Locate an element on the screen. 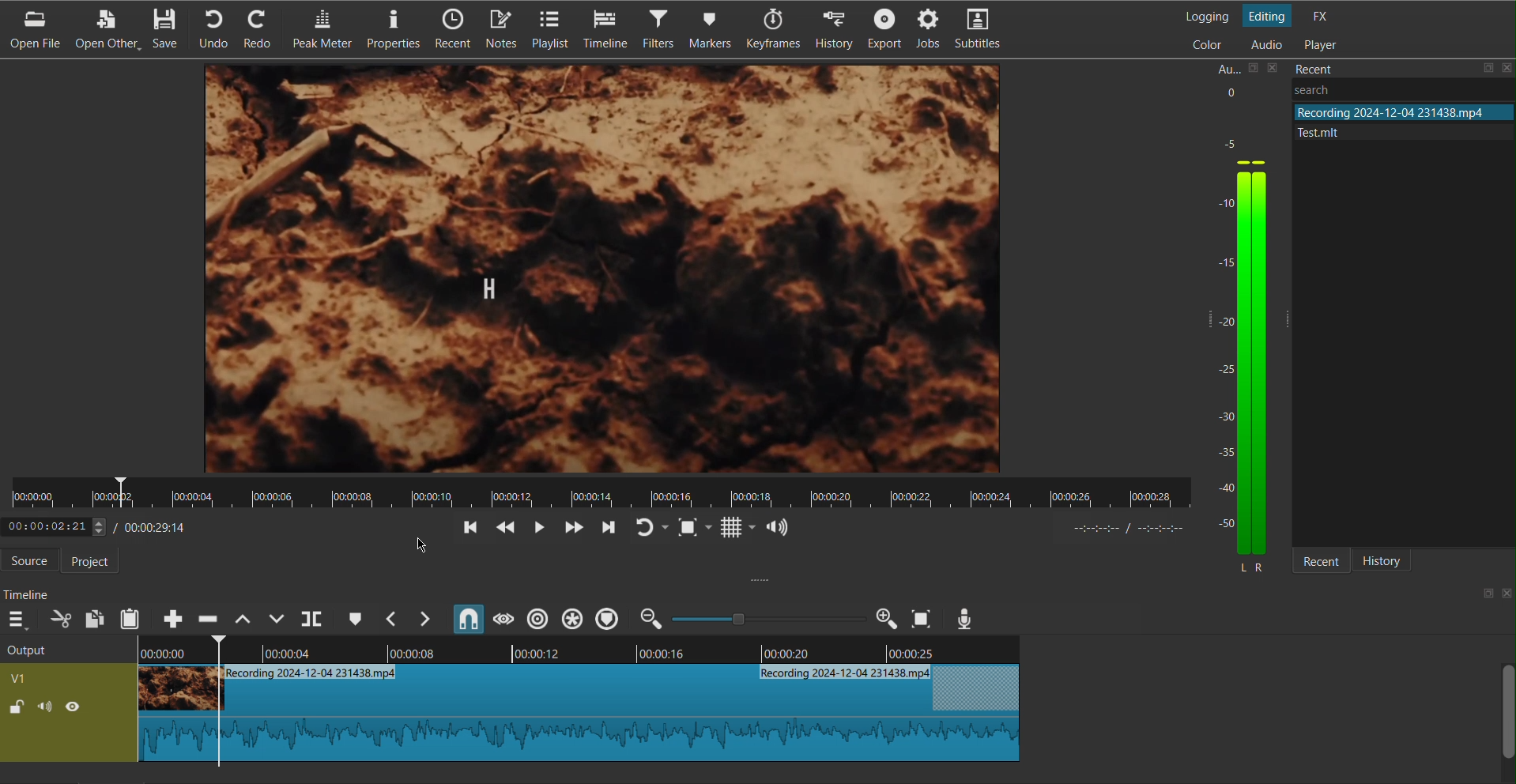 This screenshot has width=1516, height=784. Redo is located at coordinates (264, 28).